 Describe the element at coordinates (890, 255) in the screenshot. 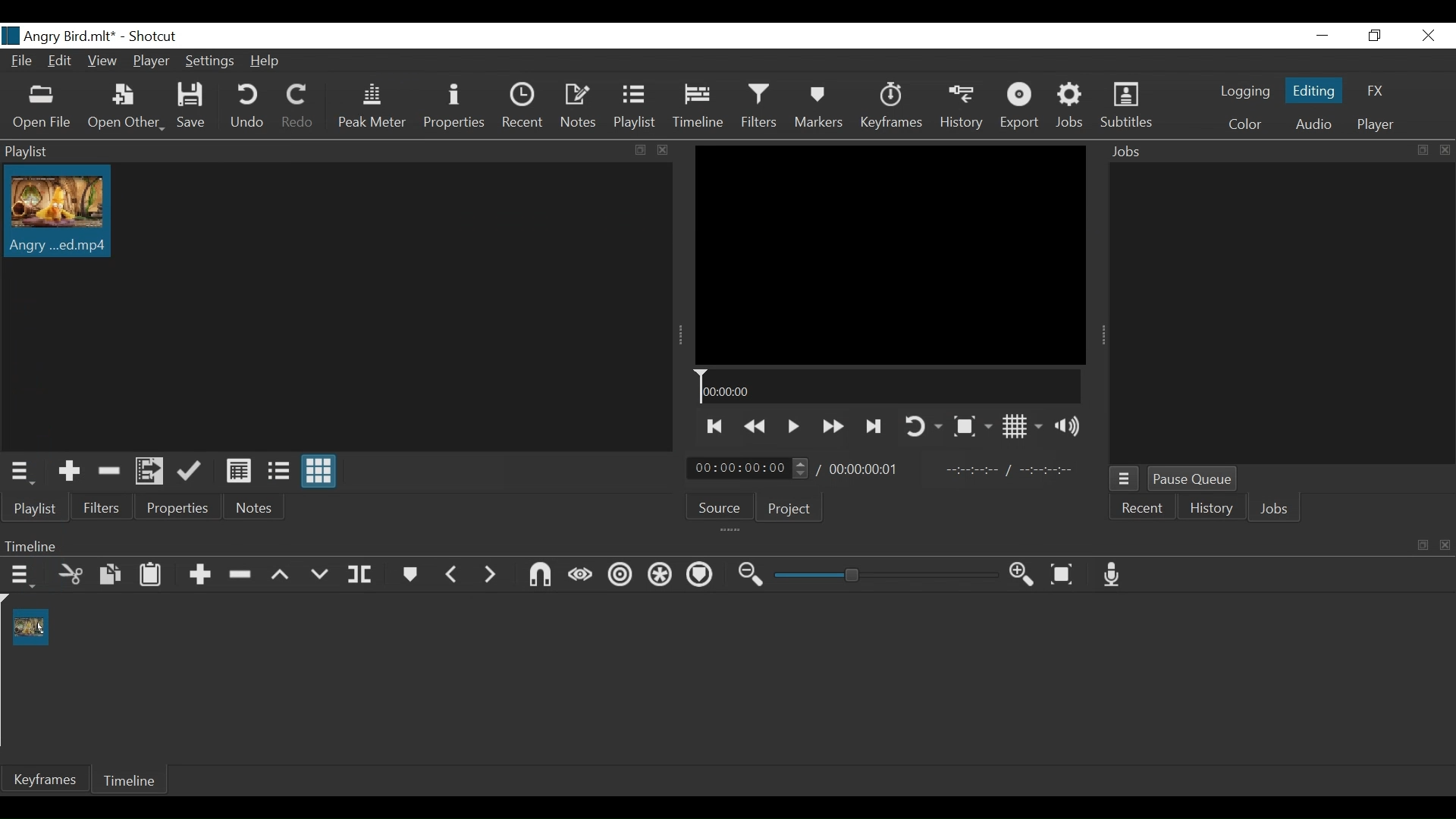

I see `Media Viewer` at that location.